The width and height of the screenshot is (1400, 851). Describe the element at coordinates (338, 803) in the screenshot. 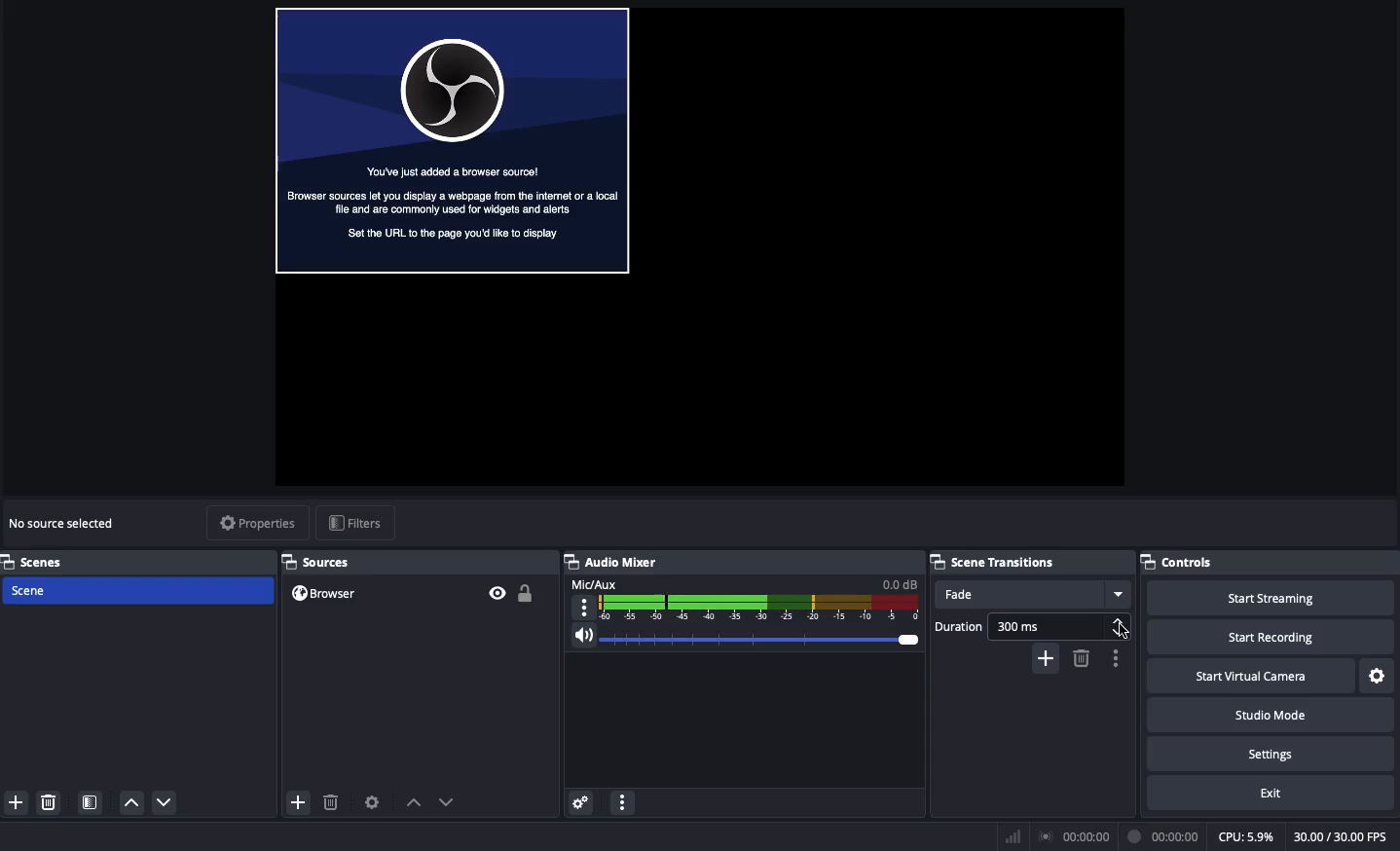

I see `delete` at that location.